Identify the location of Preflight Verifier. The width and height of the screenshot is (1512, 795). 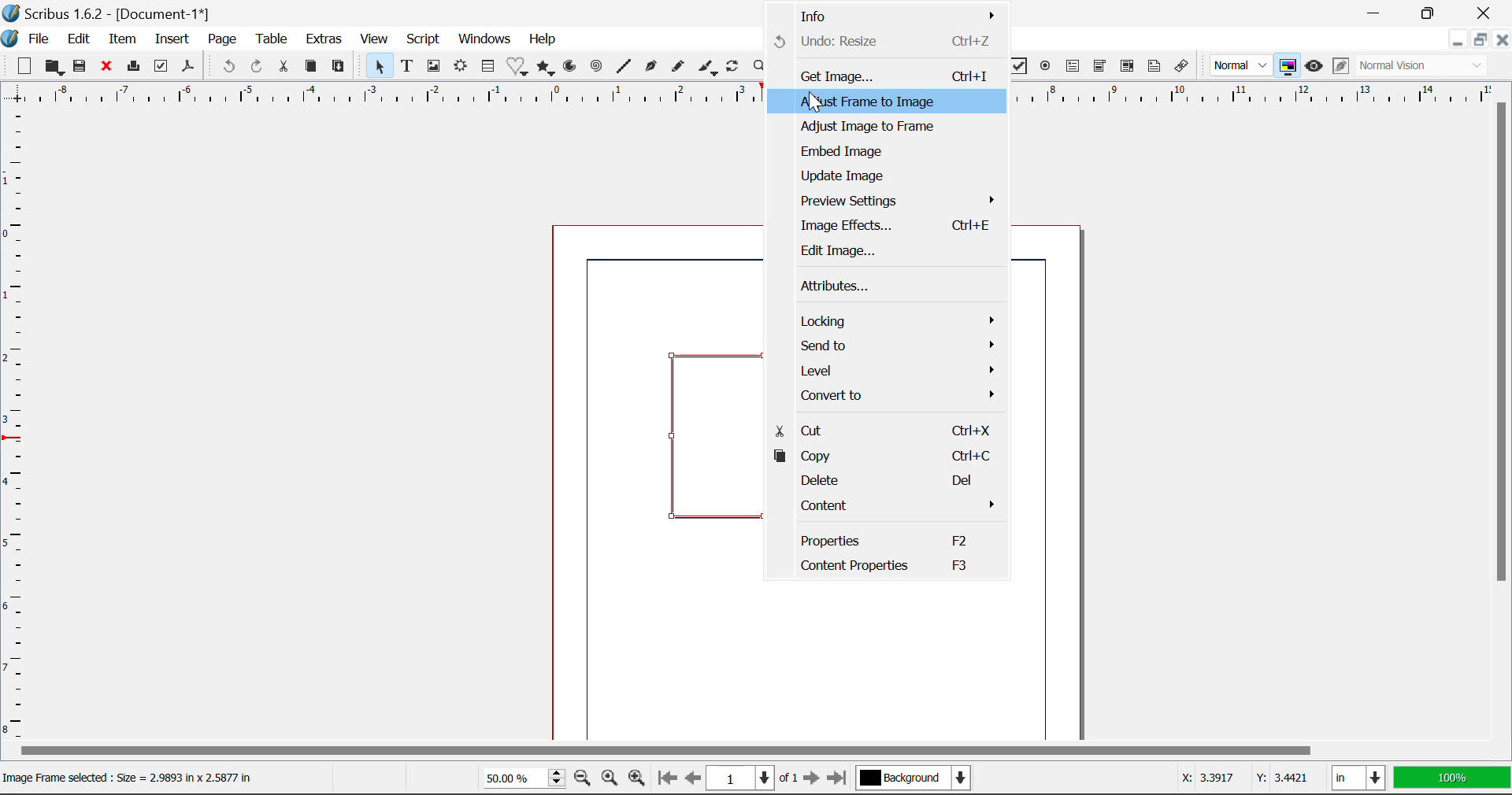
(161, 66).